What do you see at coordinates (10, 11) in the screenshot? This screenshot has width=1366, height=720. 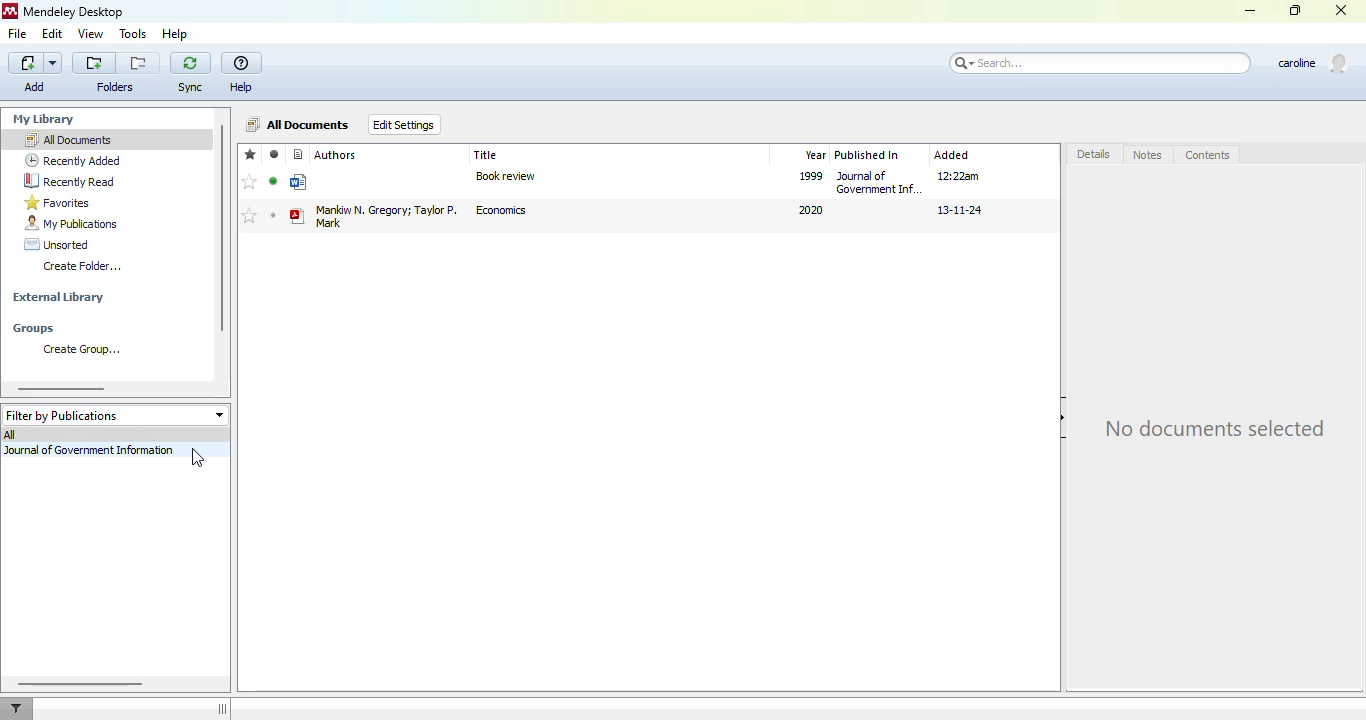 I see `logo` at bounding box center [10, 11].